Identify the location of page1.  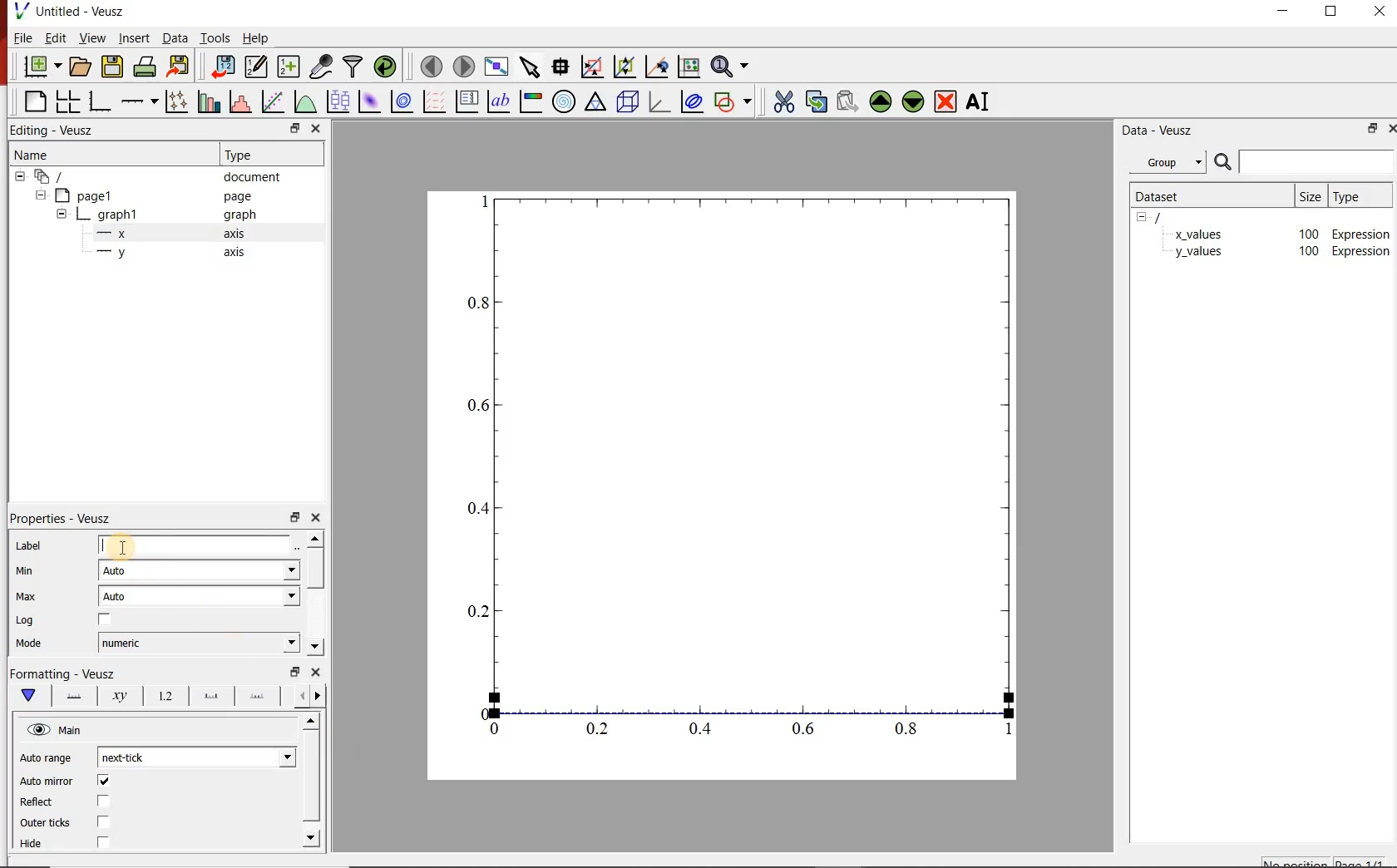
(91, 194).